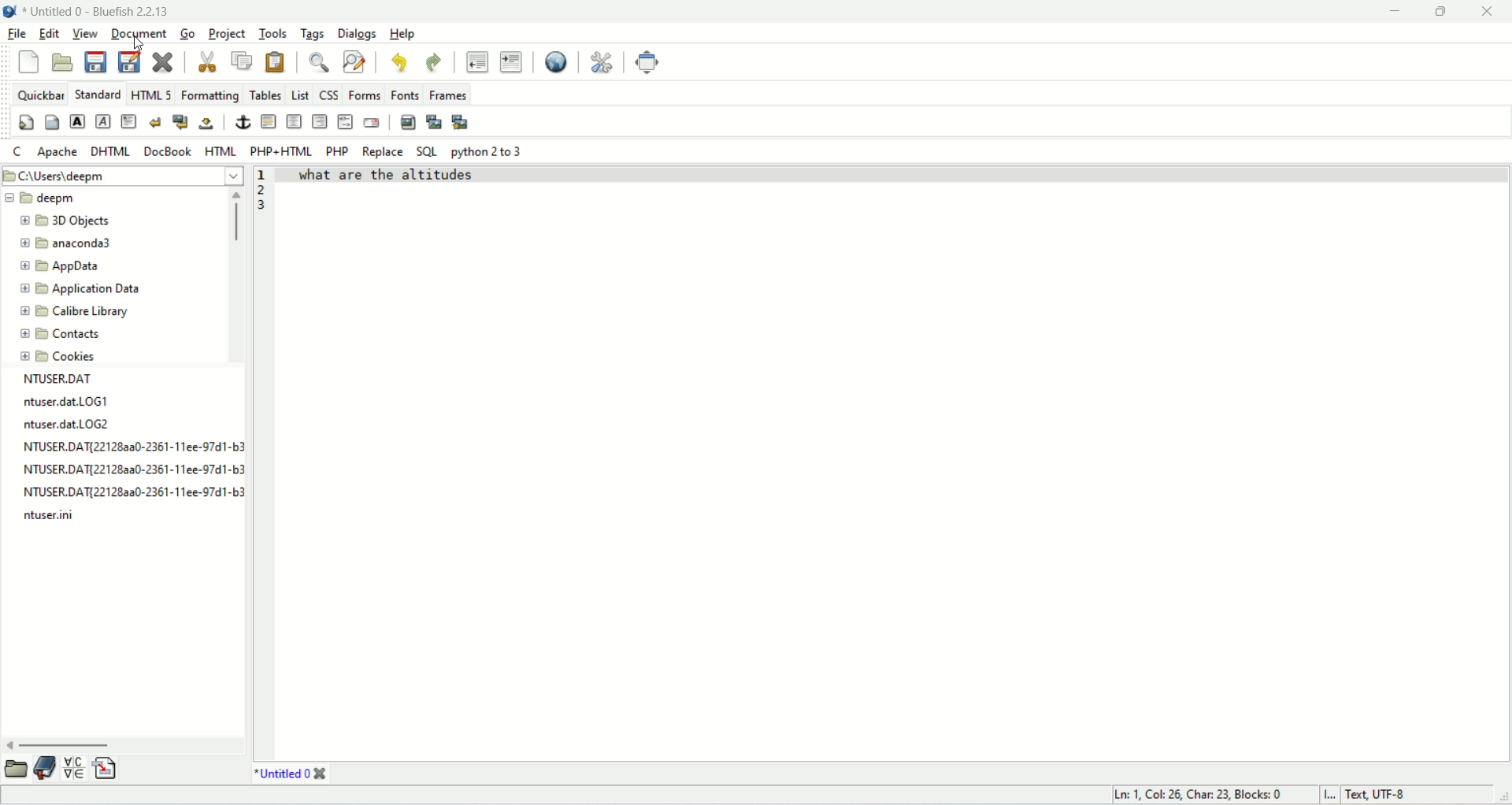 This screenshot has height=805, width=1512. Describe the element at coordinates (245, 121) in the screenshot. I see `anchor/hyperlink` at that location.